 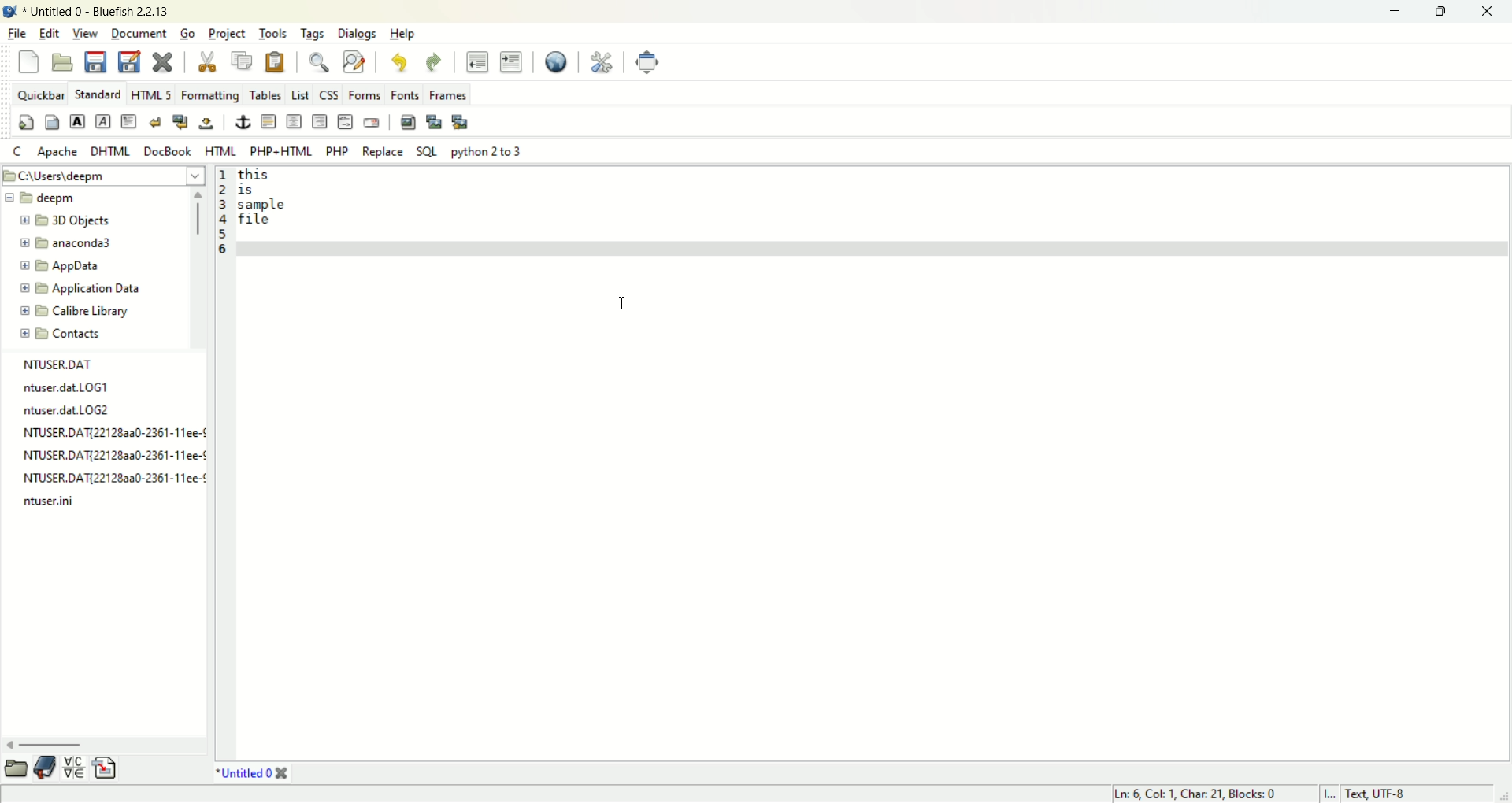 I want to click on PHP, so click(x=338, y=152).